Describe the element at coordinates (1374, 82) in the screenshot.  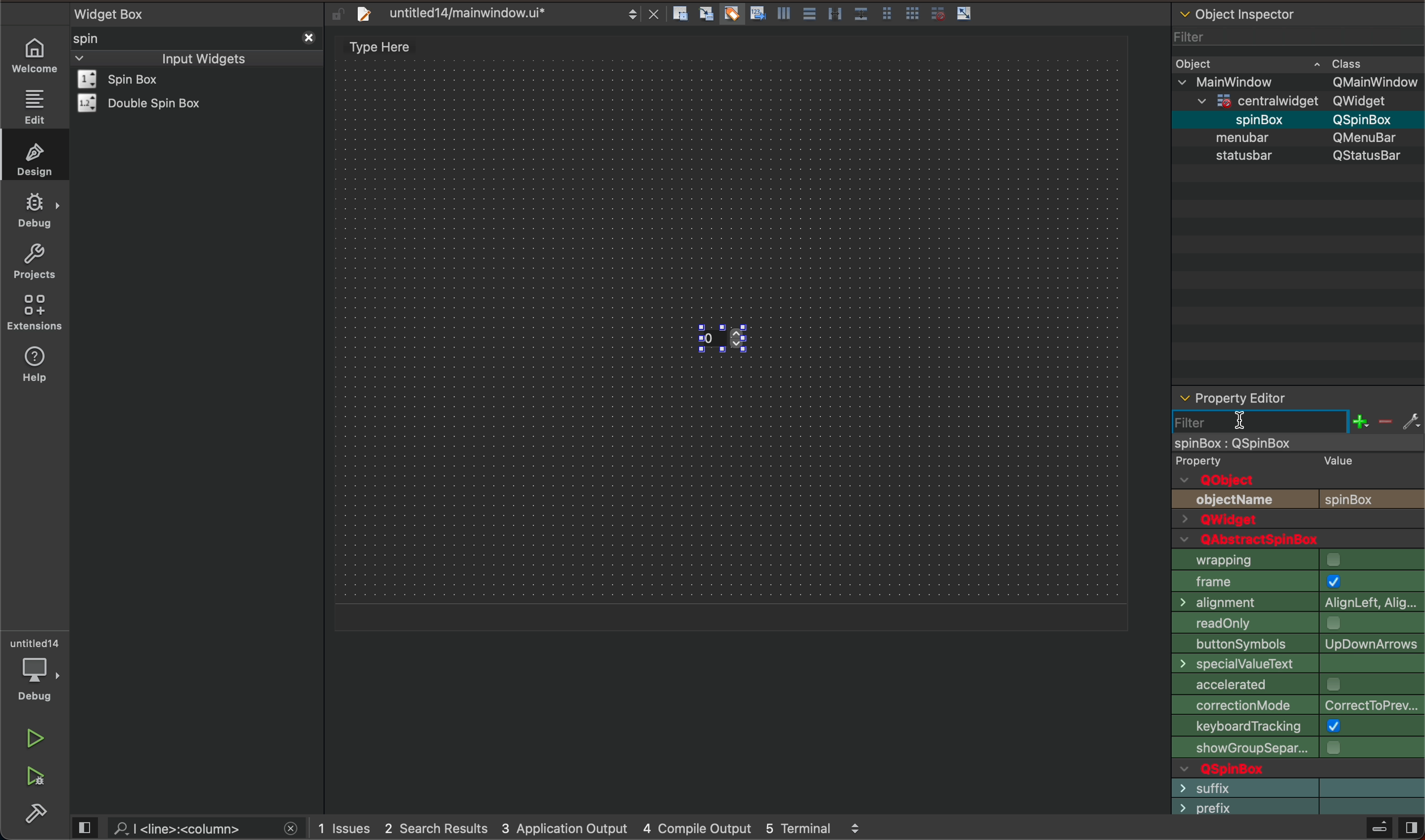
I see `` at that location.